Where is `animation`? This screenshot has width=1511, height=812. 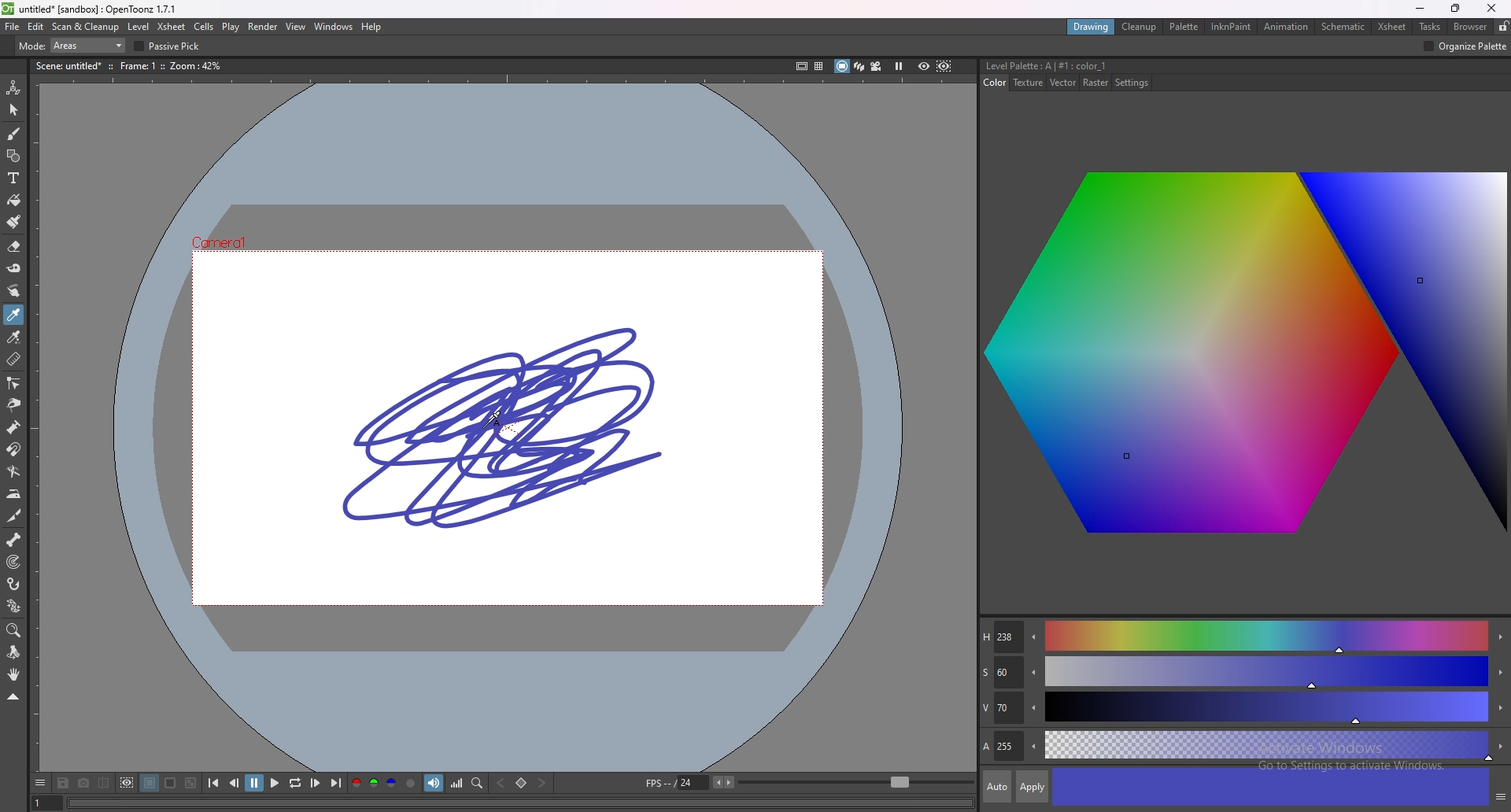 animation is located at coordinates (1287, 27).